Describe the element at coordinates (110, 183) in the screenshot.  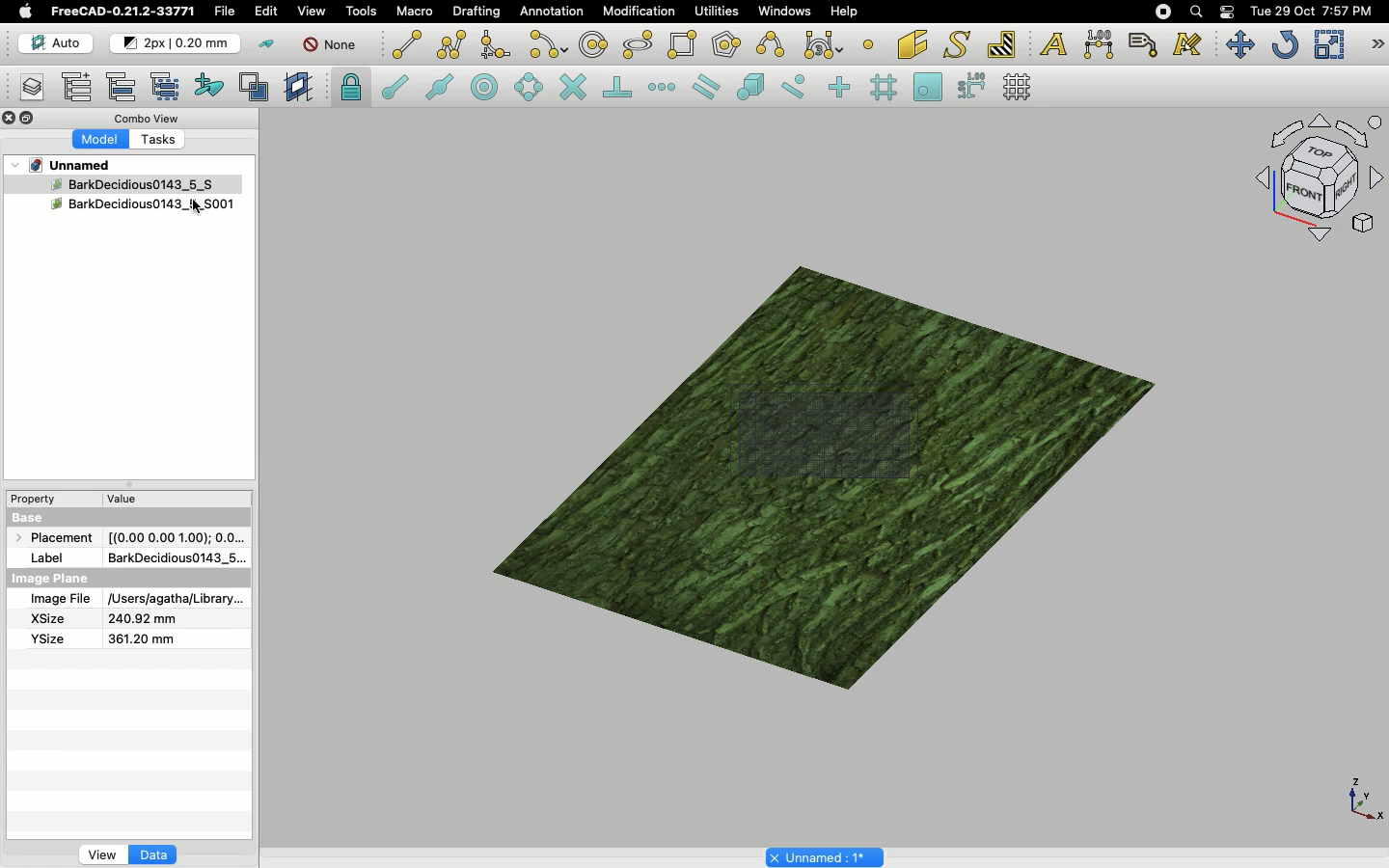
I see `Object selected` at that location.